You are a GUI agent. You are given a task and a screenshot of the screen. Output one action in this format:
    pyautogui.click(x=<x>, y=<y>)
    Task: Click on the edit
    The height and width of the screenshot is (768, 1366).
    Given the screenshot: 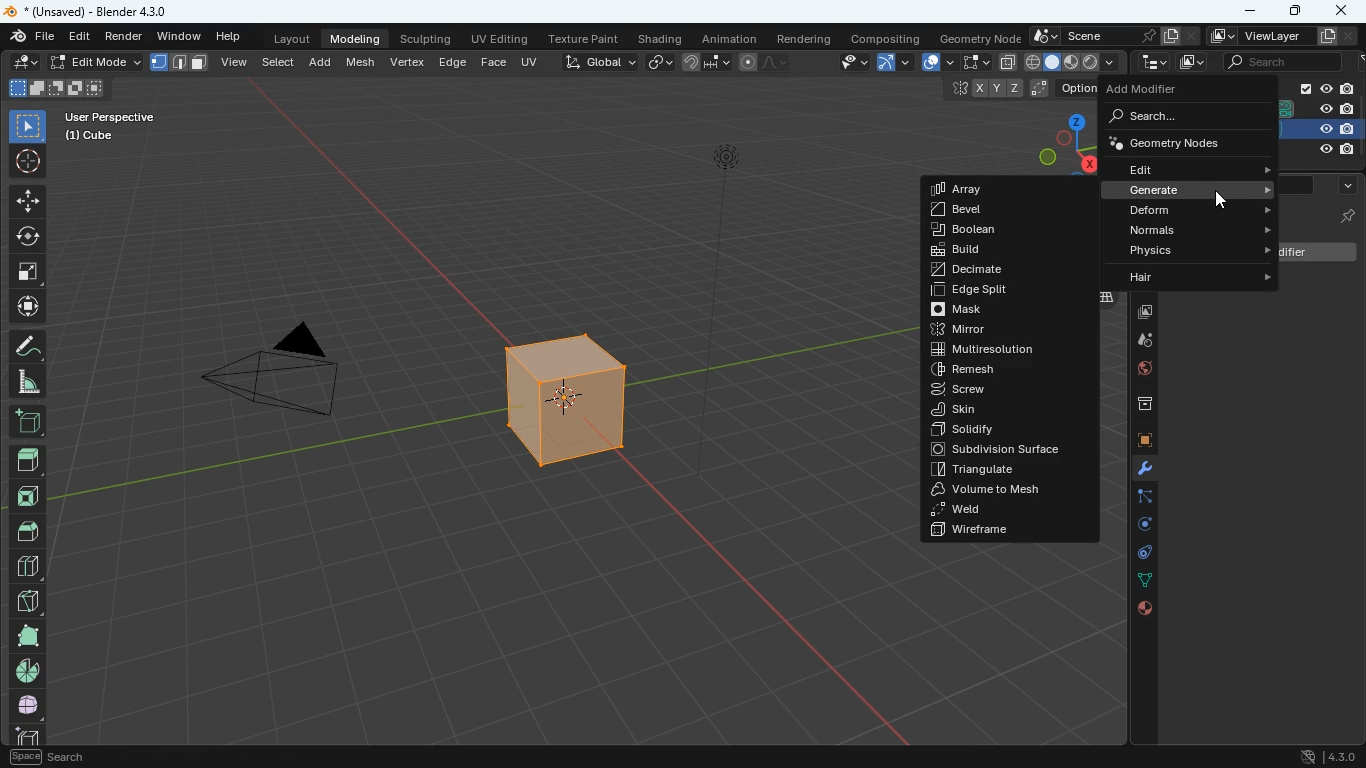 What is the action you would take?
    pyautogui.click(x=73, y=63)
    